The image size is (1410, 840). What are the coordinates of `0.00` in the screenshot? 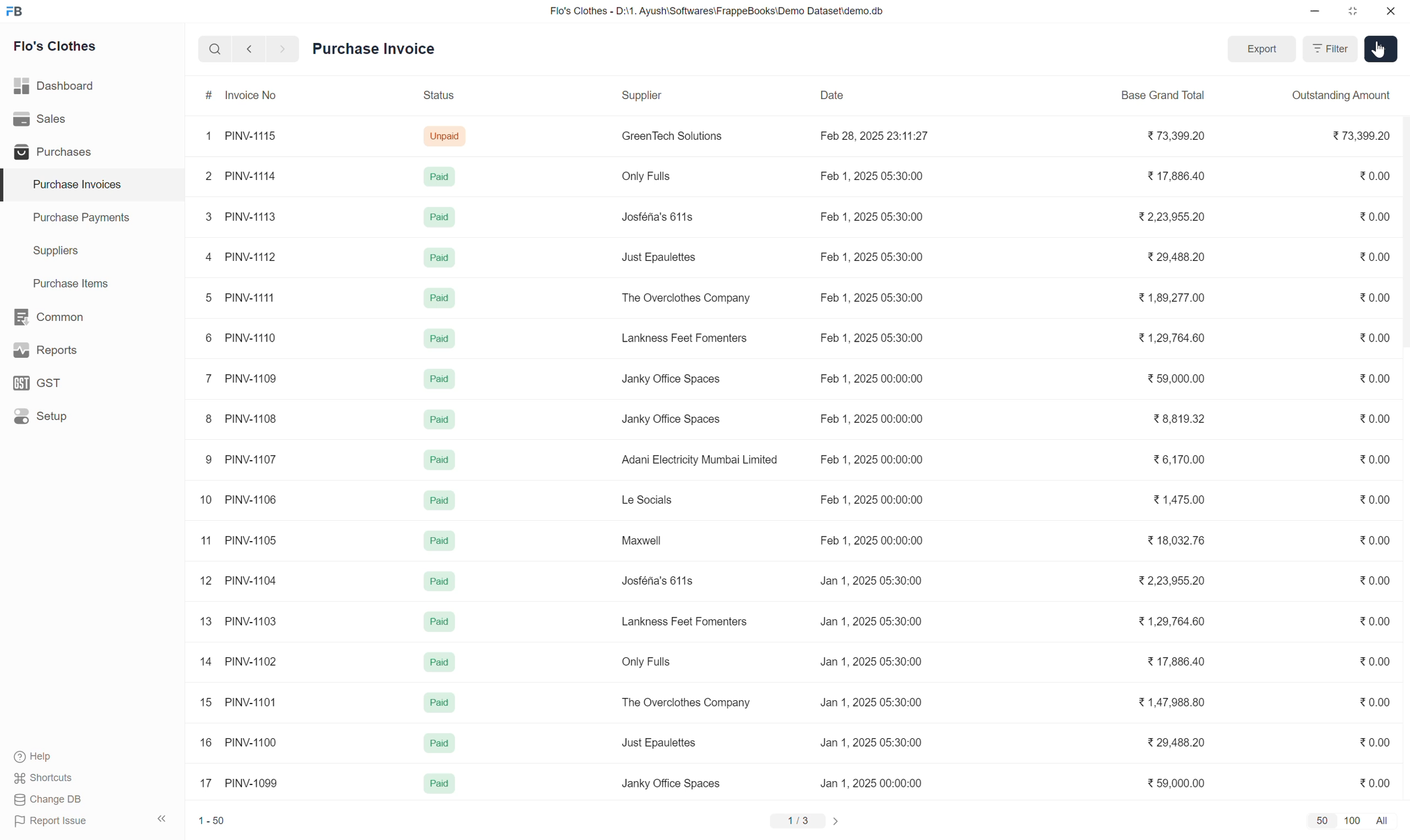 It's located at (1375, 744).